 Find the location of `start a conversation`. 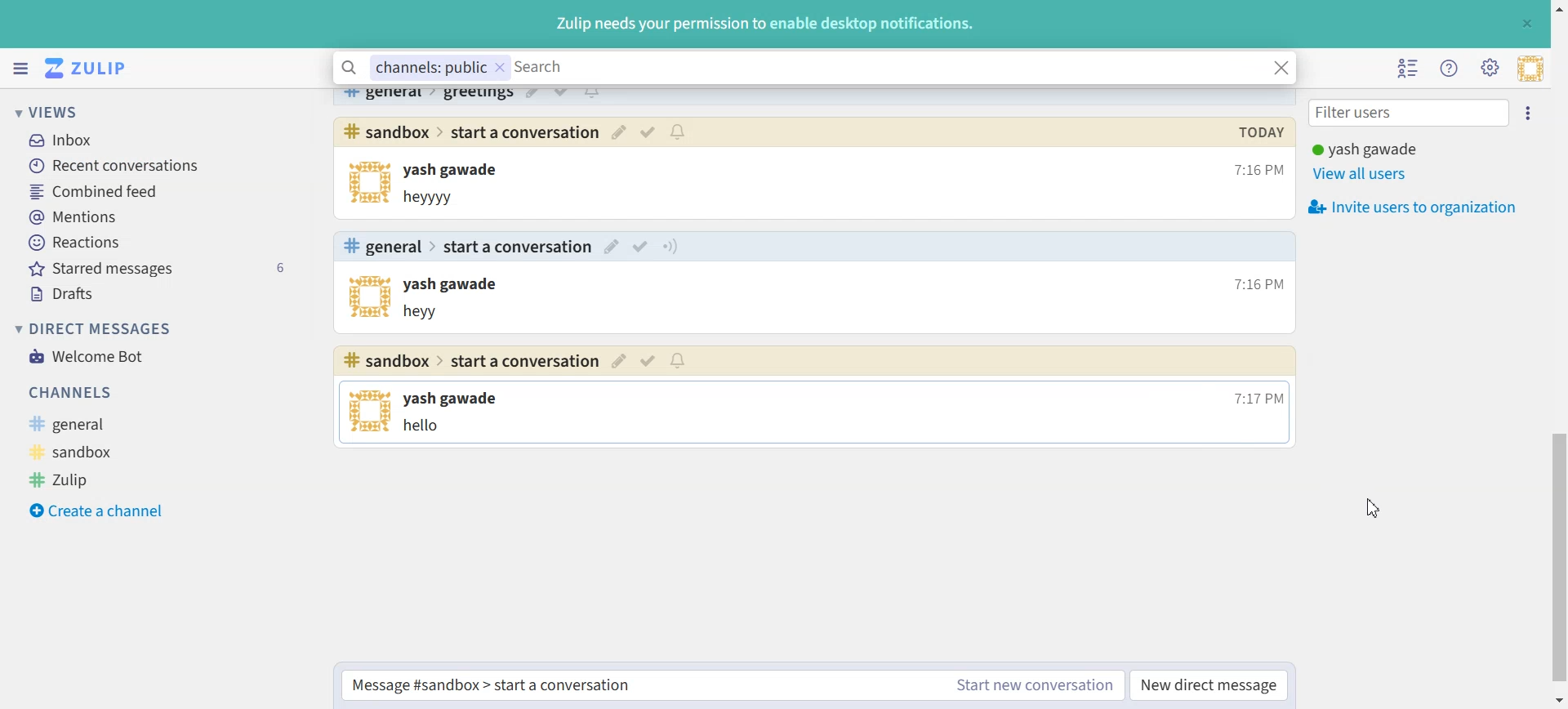

start a conversation is located at coordinates (525, 360).